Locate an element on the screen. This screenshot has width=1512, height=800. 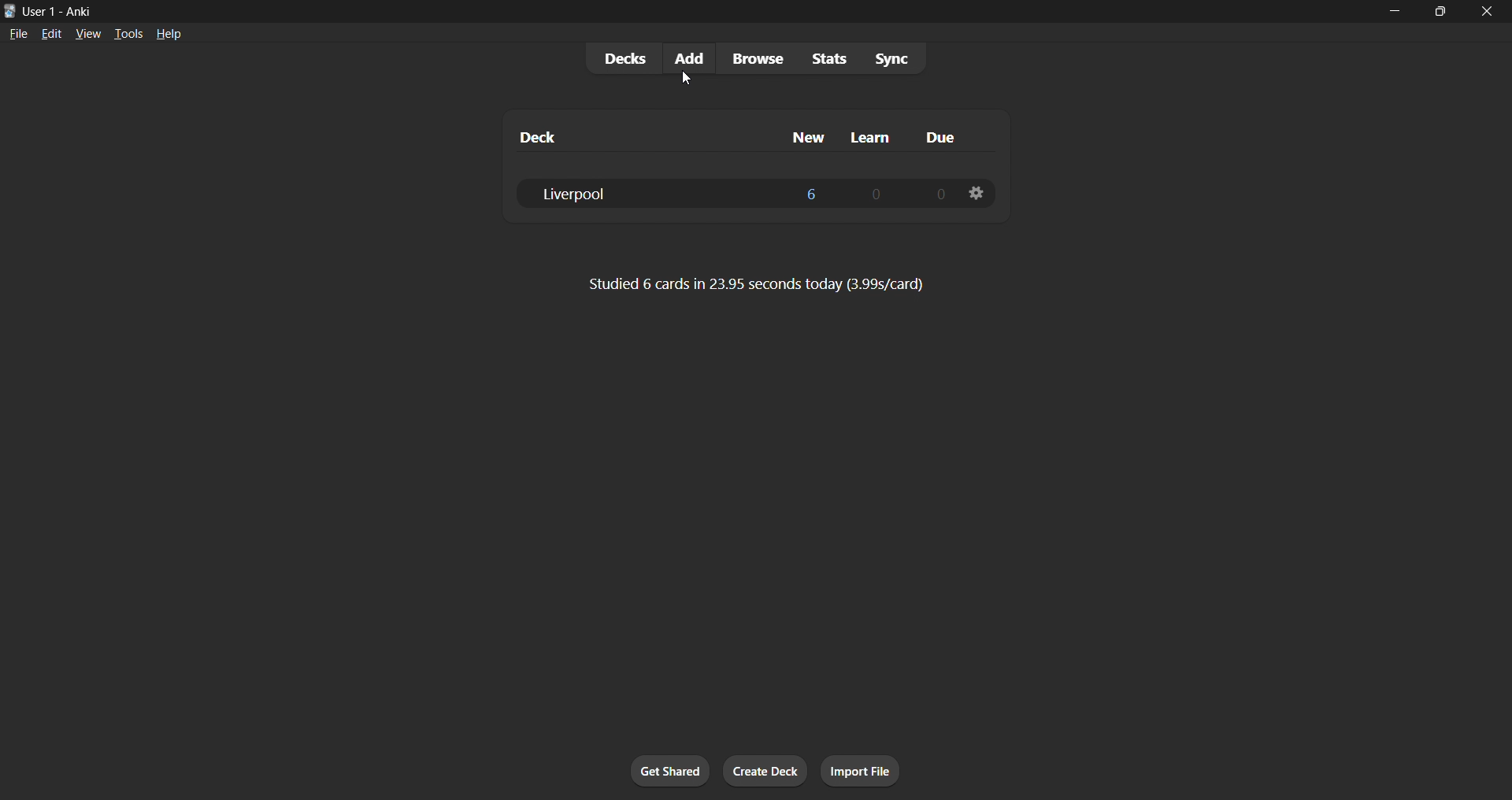
tools is located at coordinates (127, 33).